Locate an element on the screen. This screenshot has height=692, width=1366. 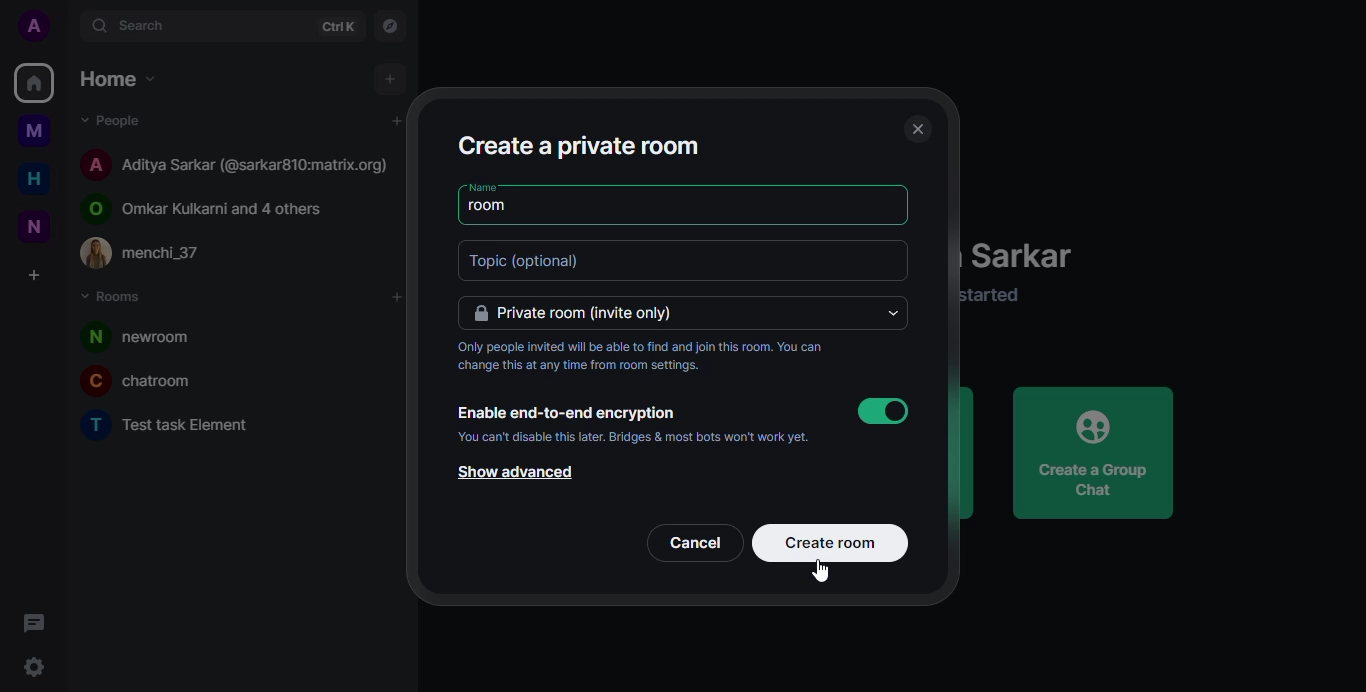
info is located at coordinates (1009, 297).